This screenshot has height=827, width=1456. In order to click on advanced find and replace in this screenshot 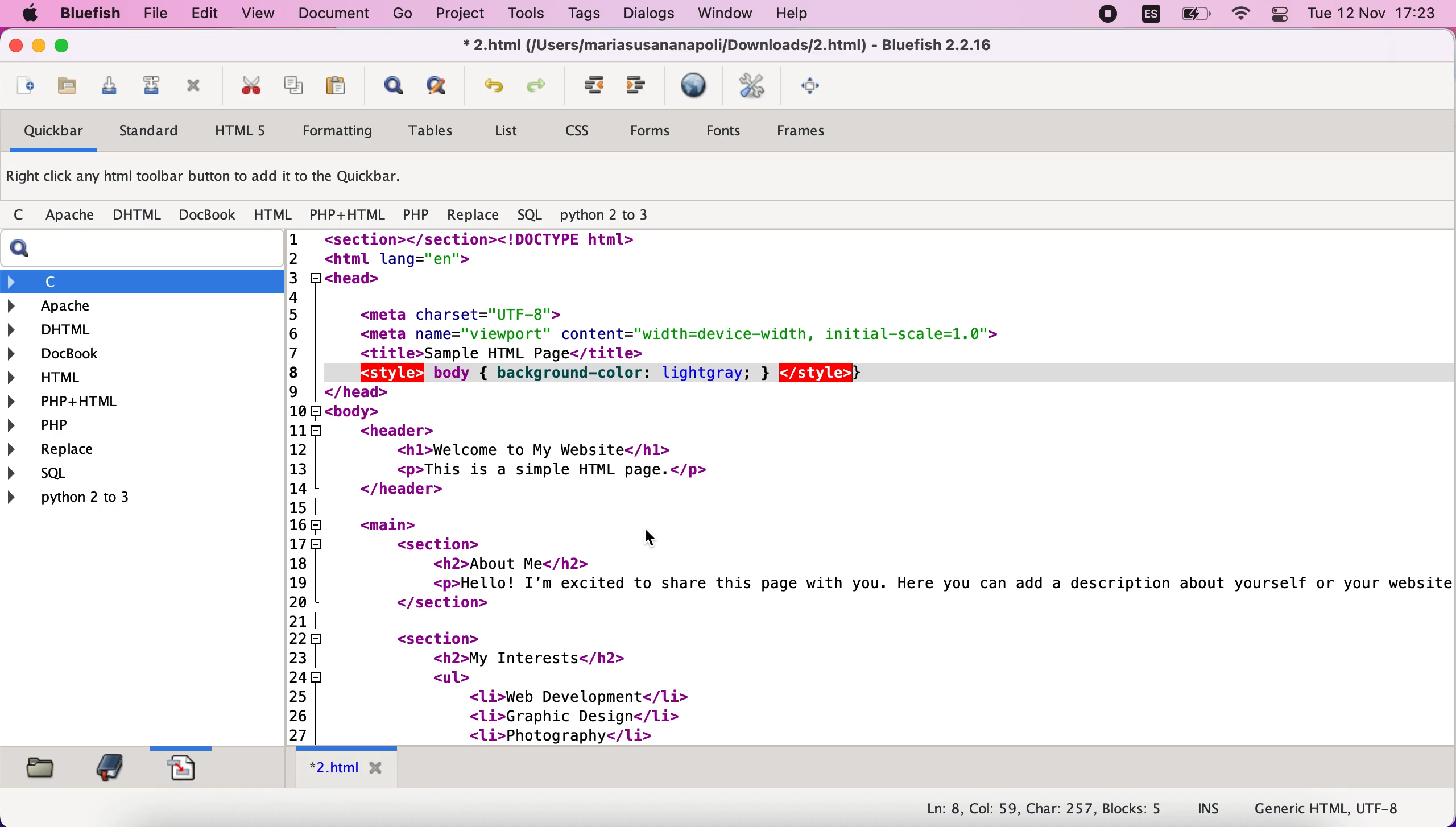, I will do `click(444, 85)`.